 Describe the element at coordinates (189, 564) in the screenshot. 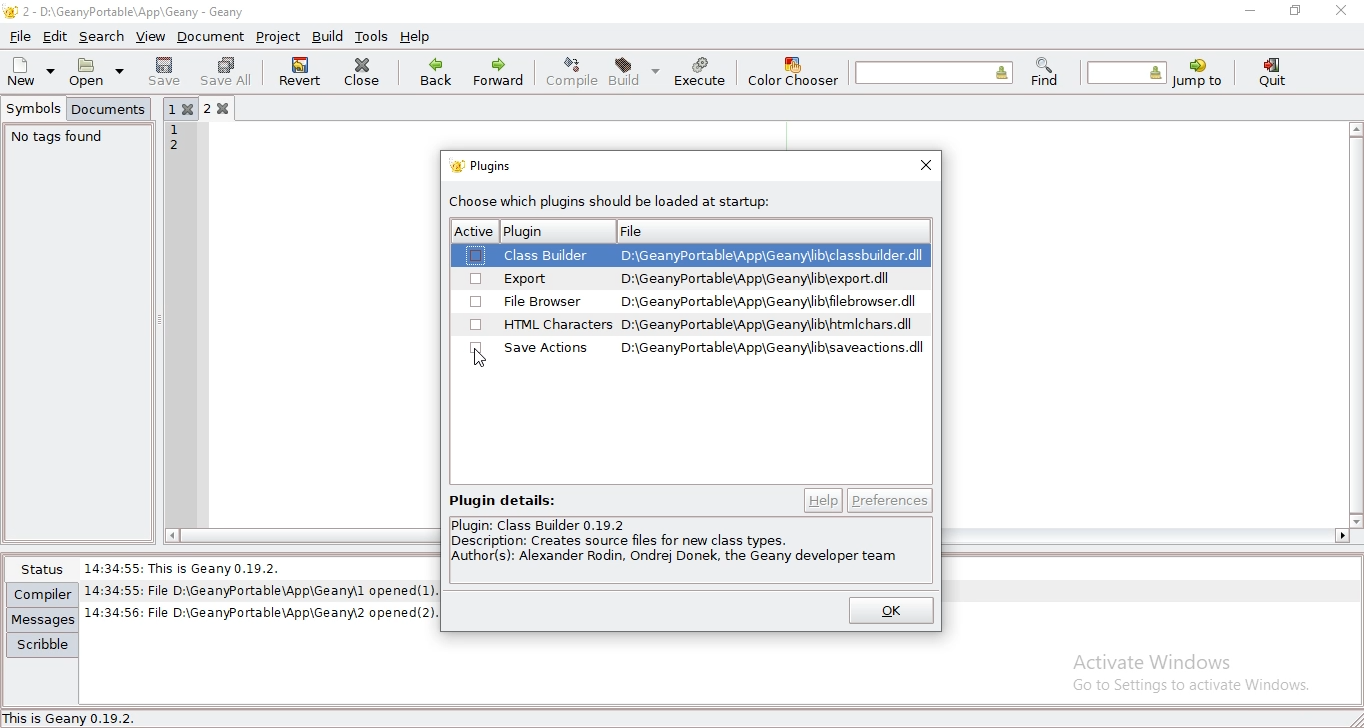

I see `14:34:55: This Is Geany 0.19.2.` at that location.